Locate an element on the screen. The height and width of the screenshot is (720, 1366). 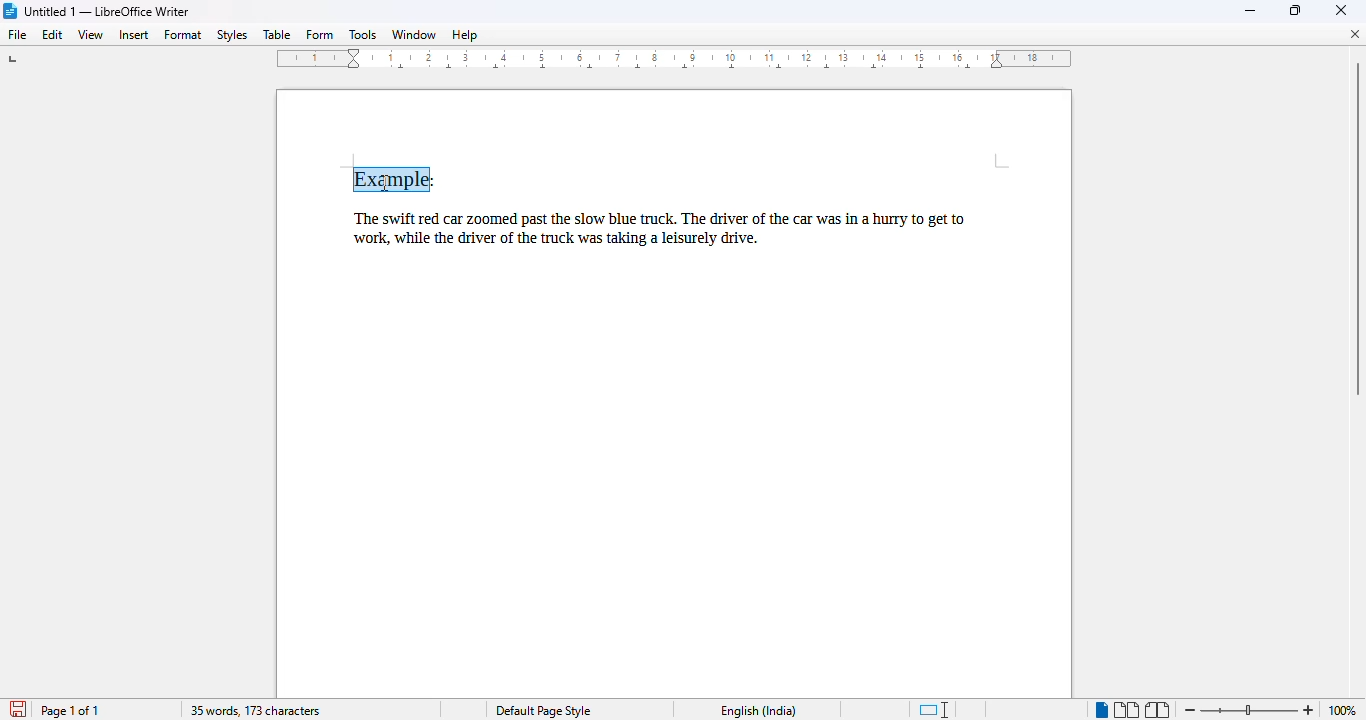
100% (zoom level) is located at coordinates (1344, 710).